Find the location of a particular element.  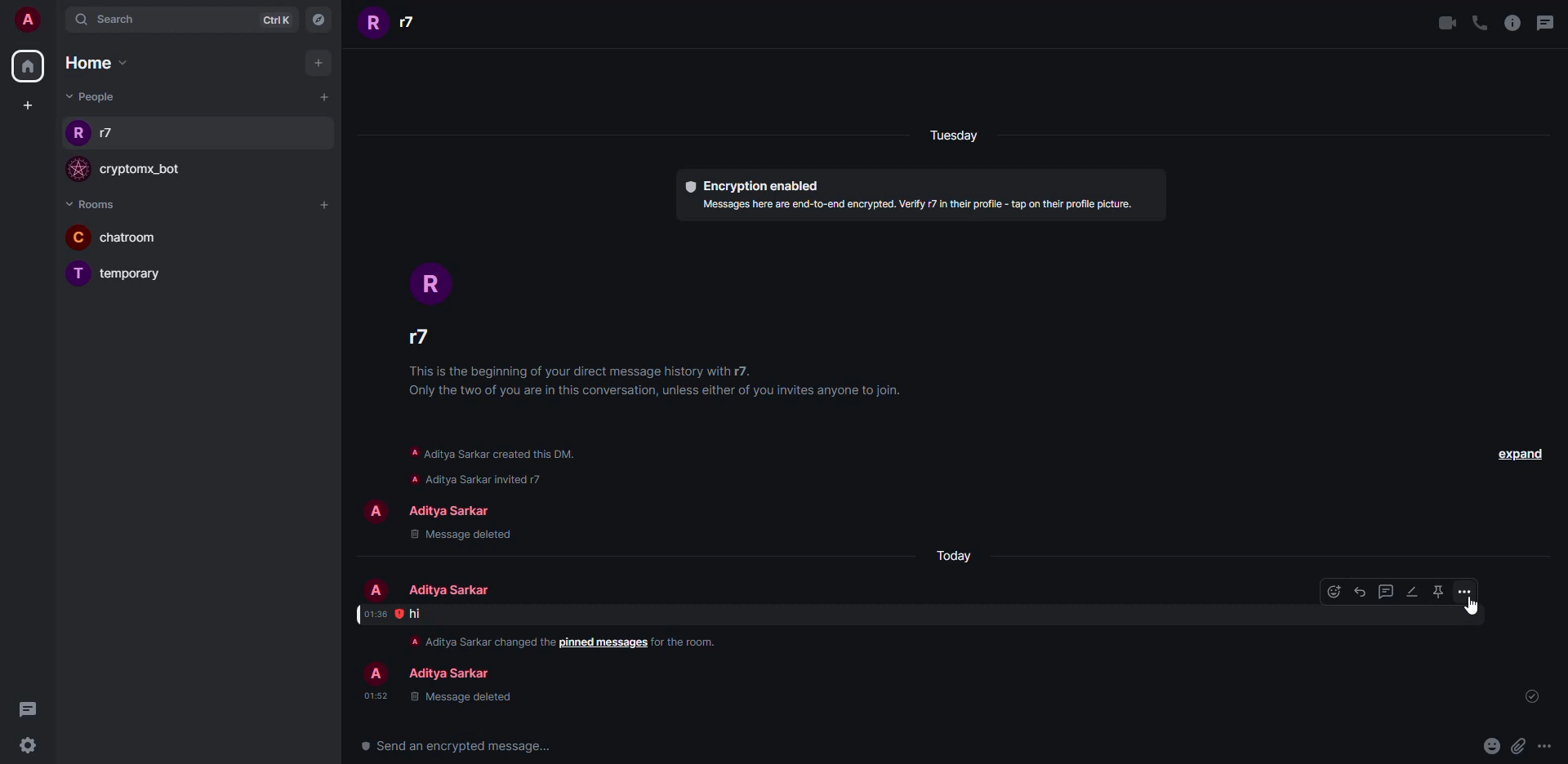

expand is located at coordinates (1518, 453).